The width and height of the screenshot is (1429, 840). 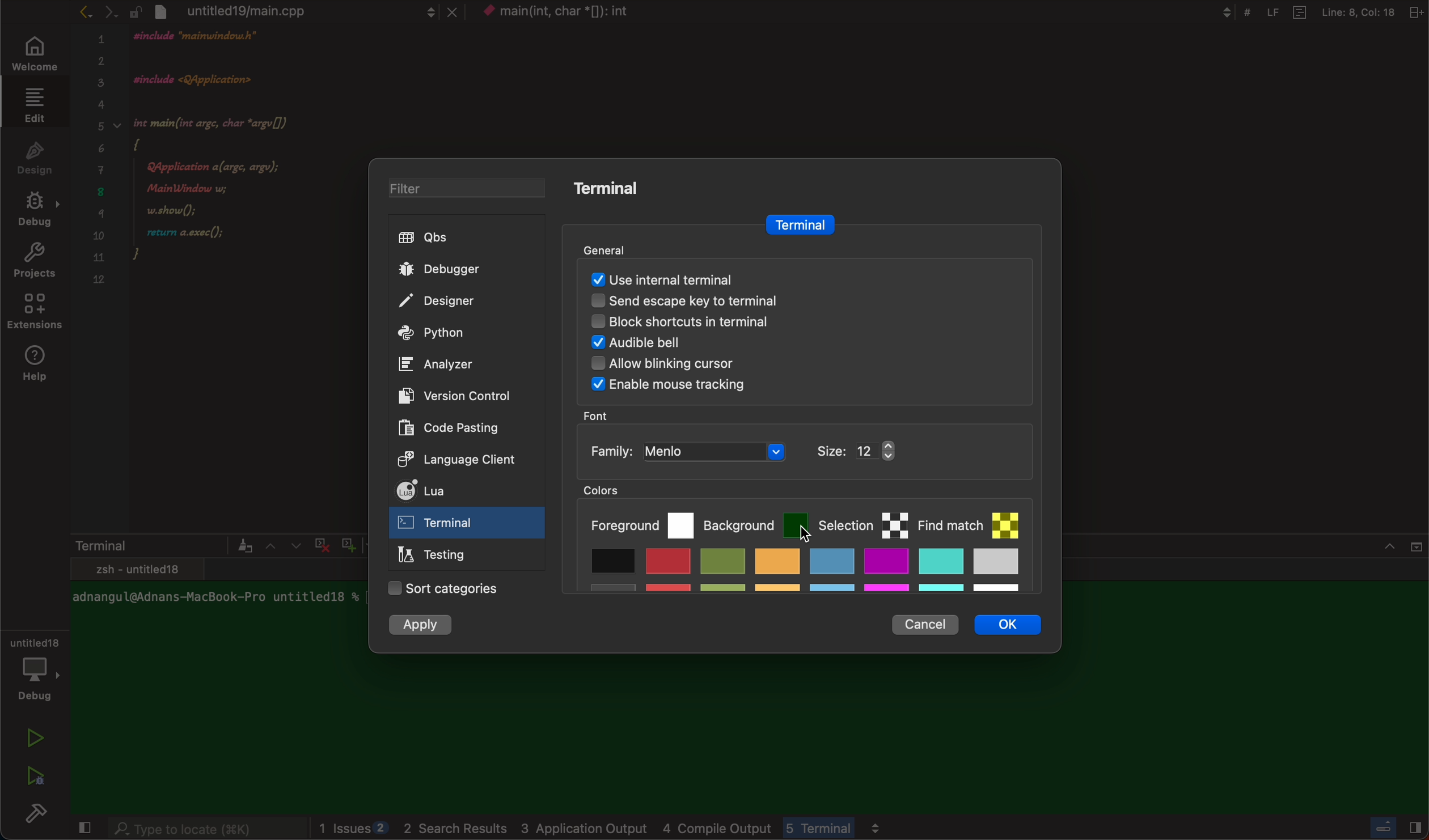 What do you see at coordinates (456, 334) in the screenshot?
I see `python` at bounding box center [456, 334].